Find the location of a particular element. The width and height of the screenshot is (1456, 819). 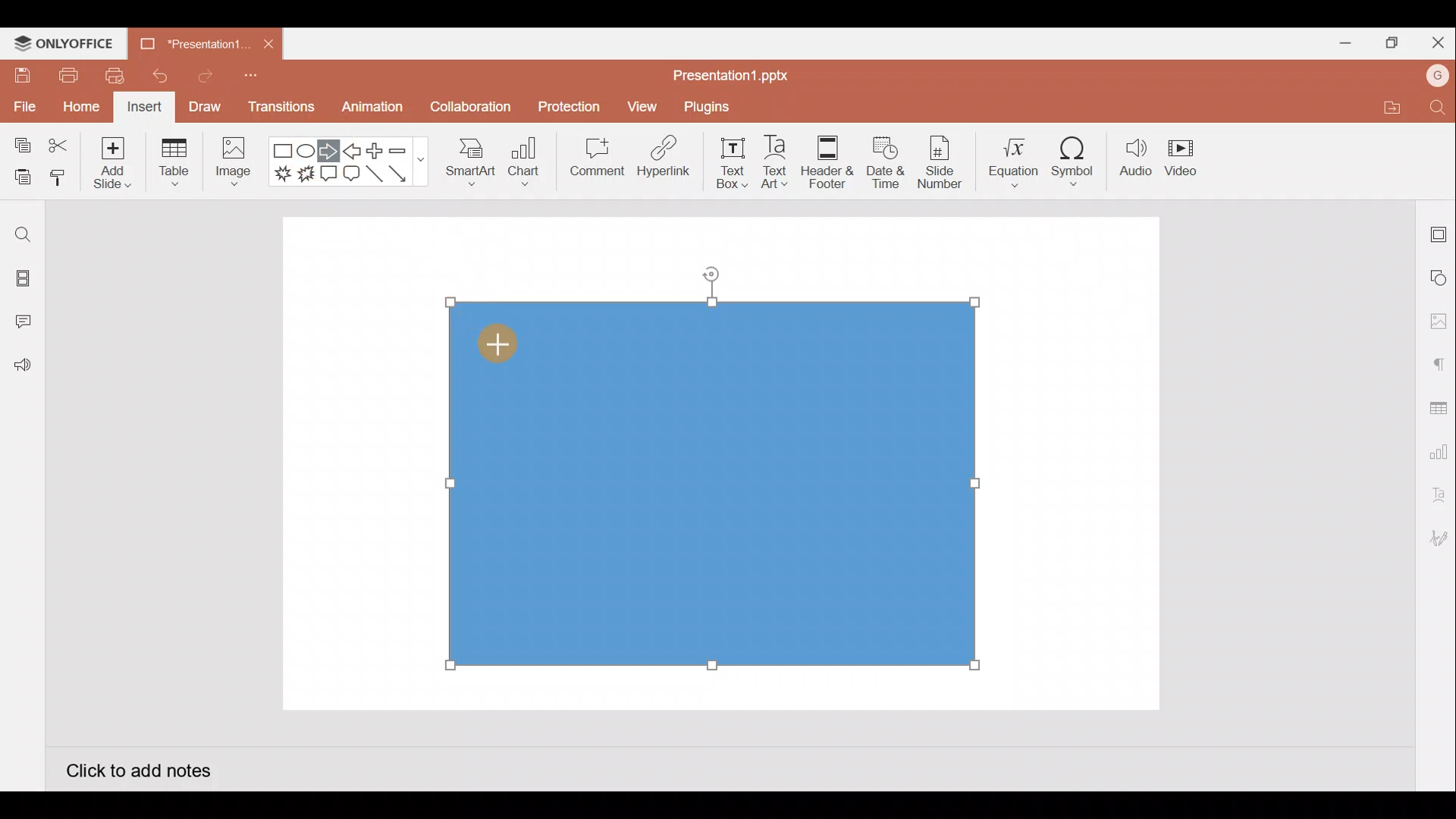

Explosion 1 is located at coordinates (283, 173).